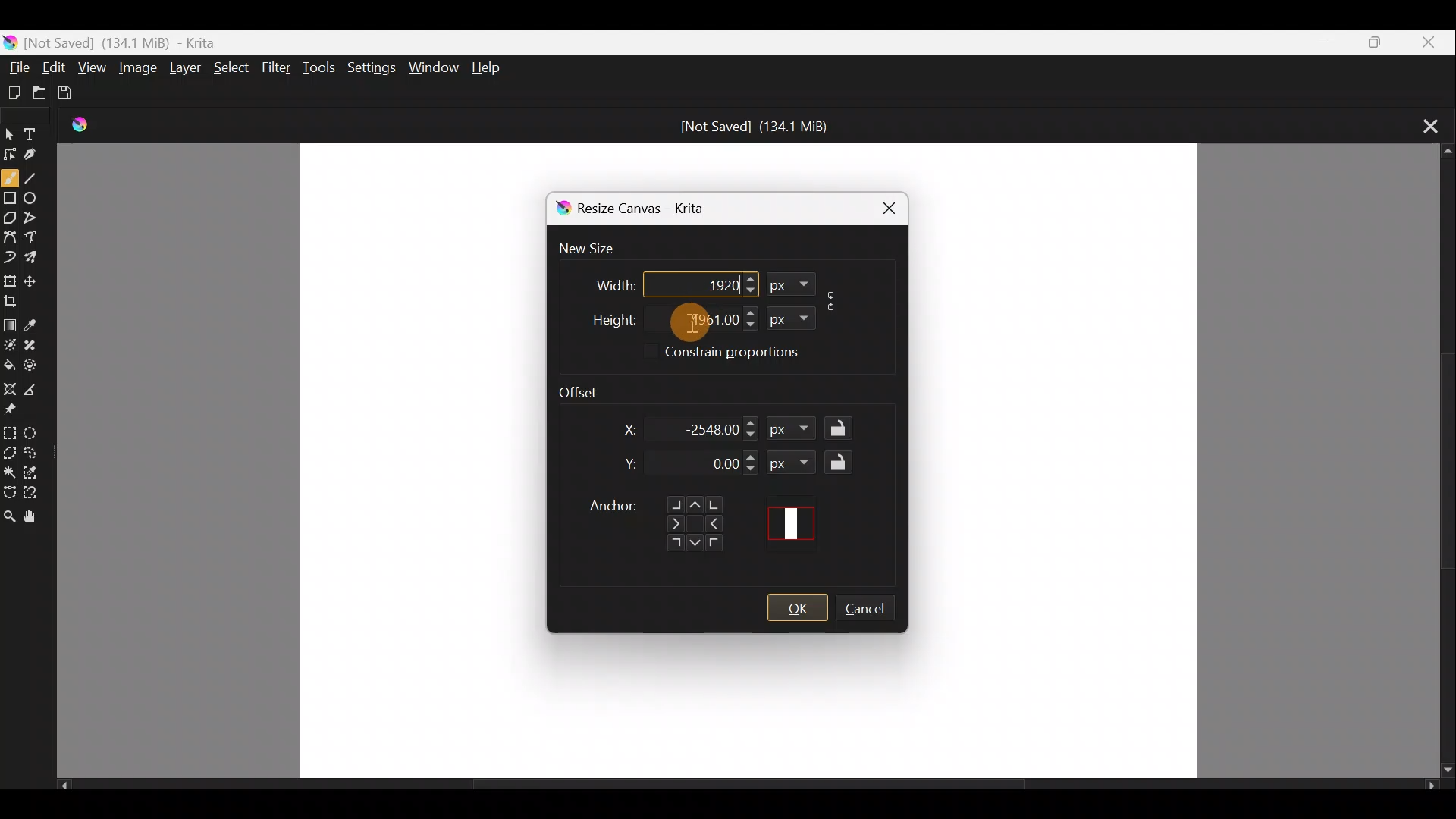 This screenshot has width=1456, height=819. I want to click on 1920.00, so click(692, 283).